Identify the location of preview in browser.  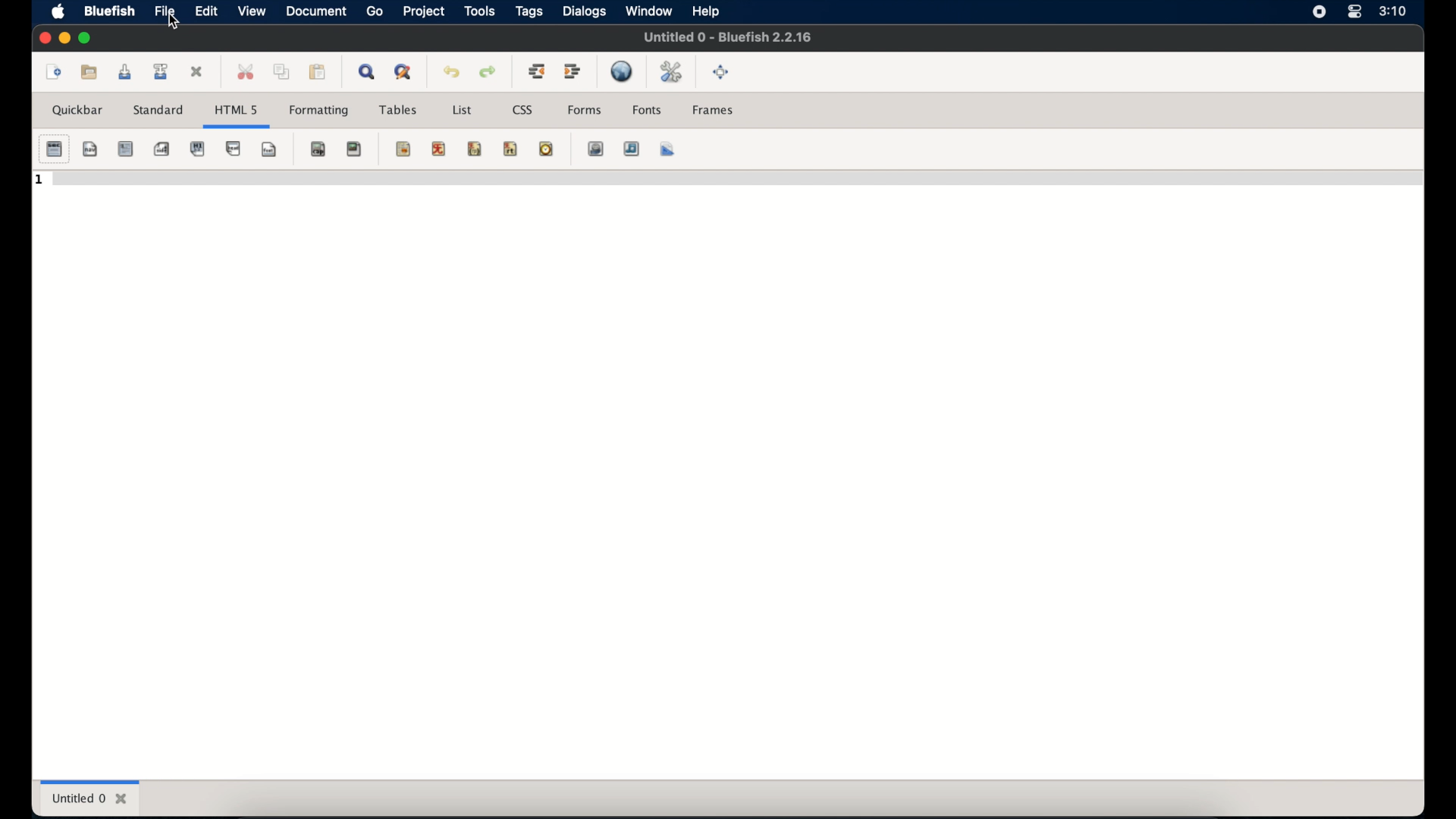
(623, 71).